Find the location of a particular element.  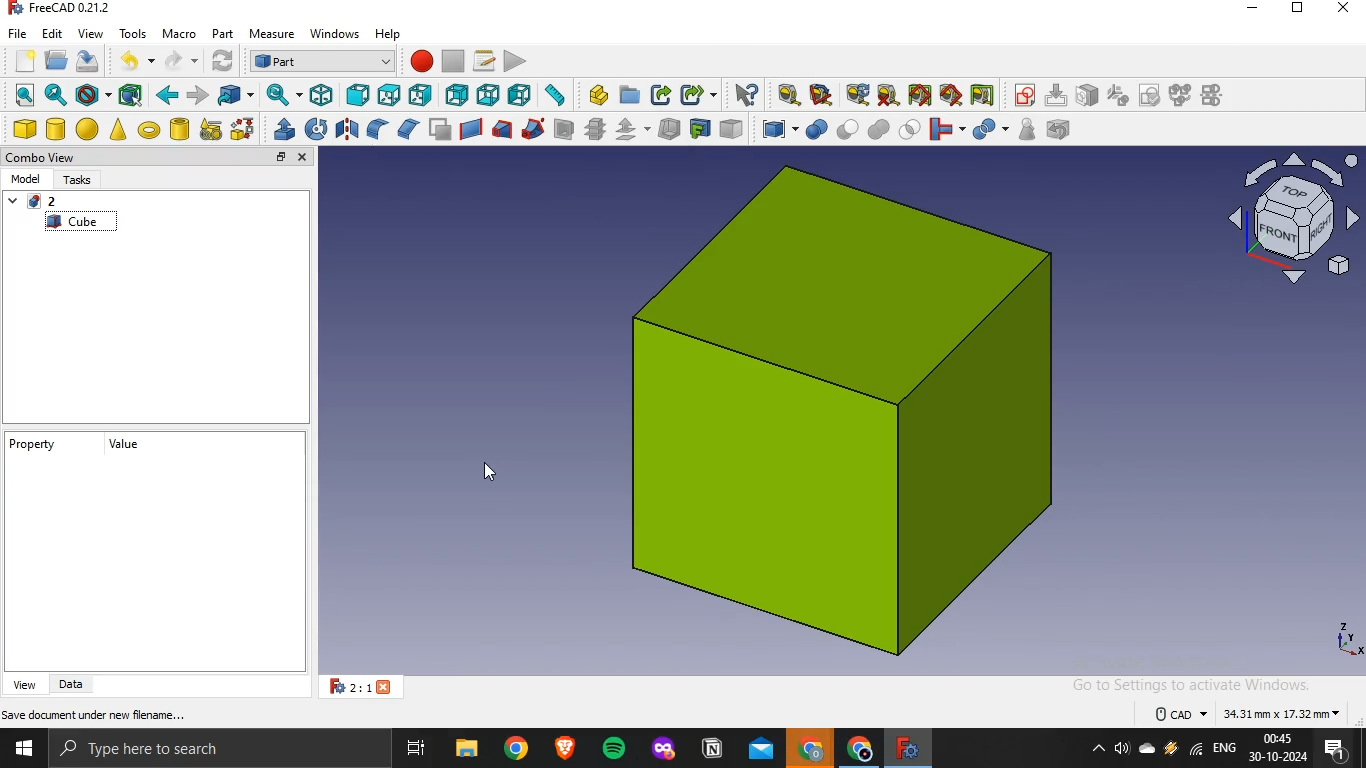

thickness is located at coordinates (667, 130).